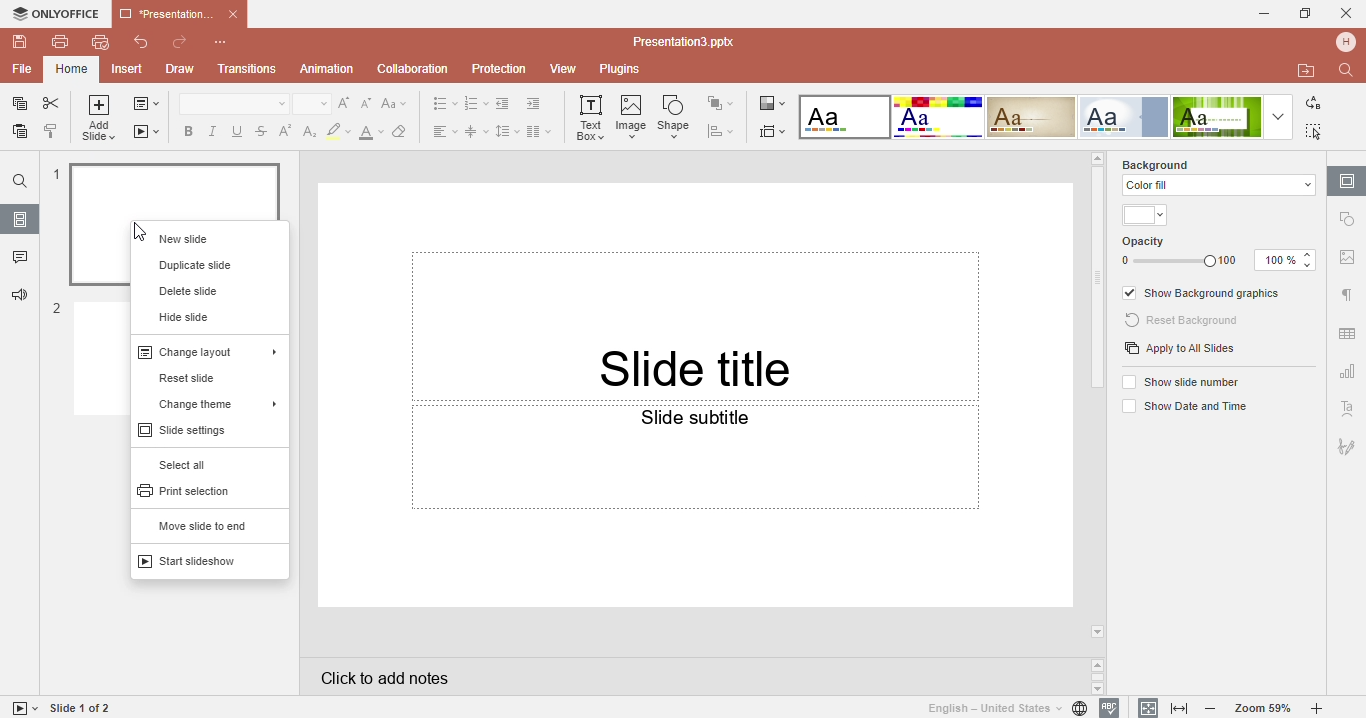 This screenshot has height=718, width=1366. Describe the element at coordinates (689, 42) in the screenshot. I see `Document name` at that location.